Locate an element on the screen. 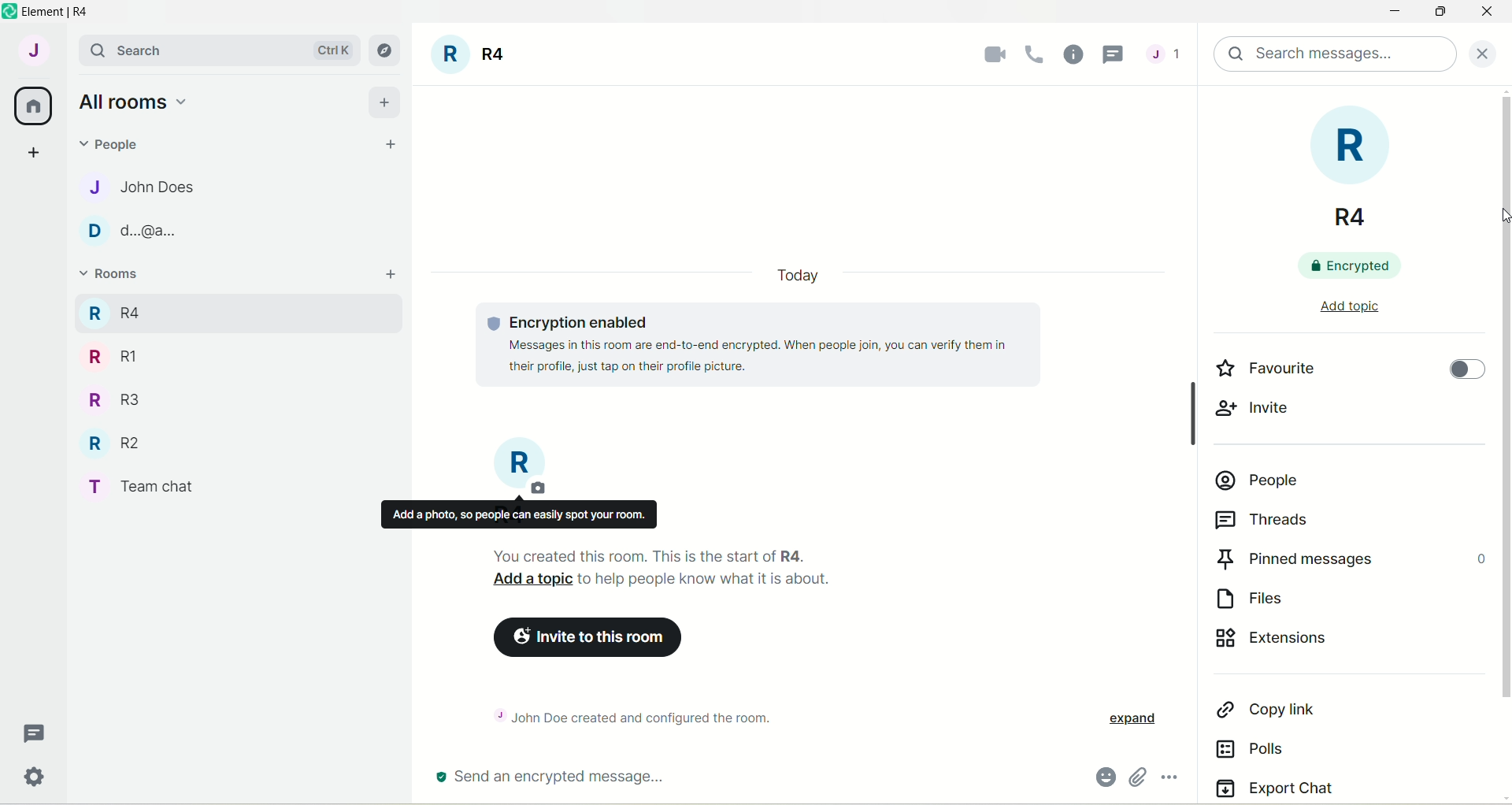 The width and height of the screenshot is (1512, 805). create a space is located at coordinates (32, 151).